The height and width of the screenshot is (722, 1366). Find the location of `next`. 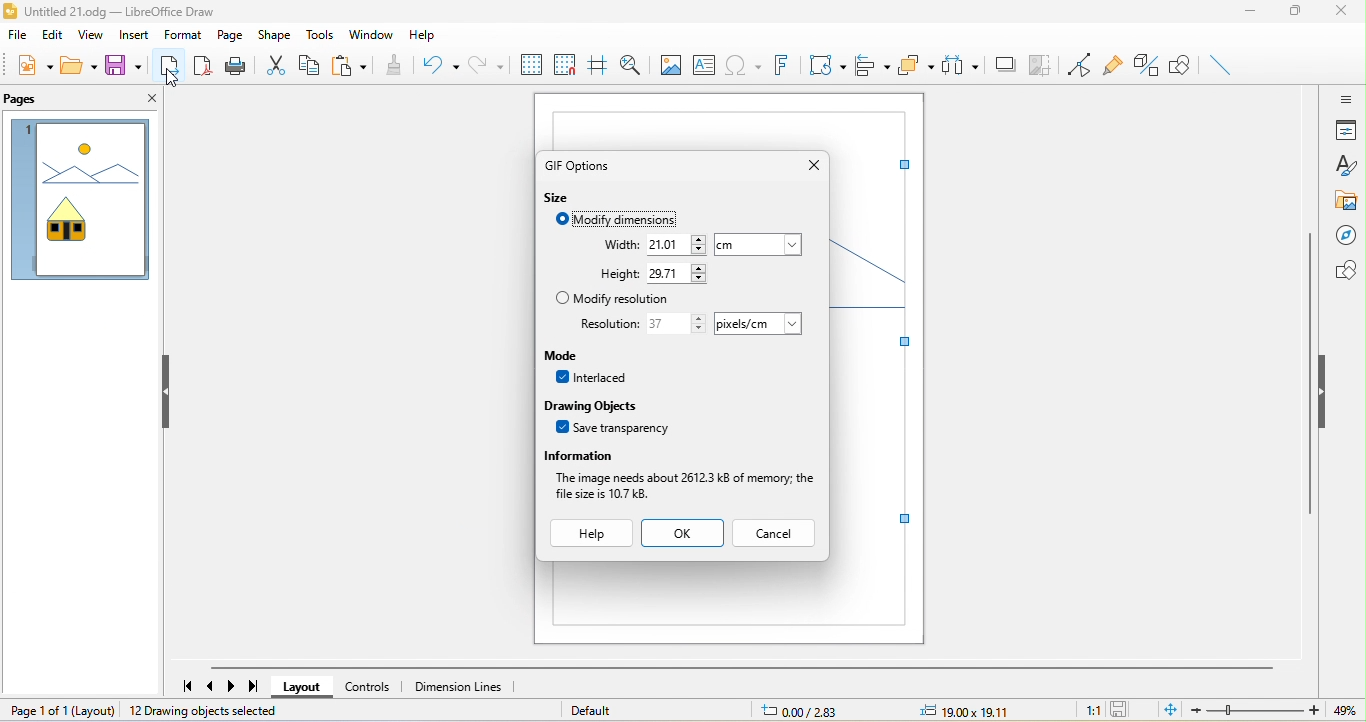

next is located at coordinates (233, 686).